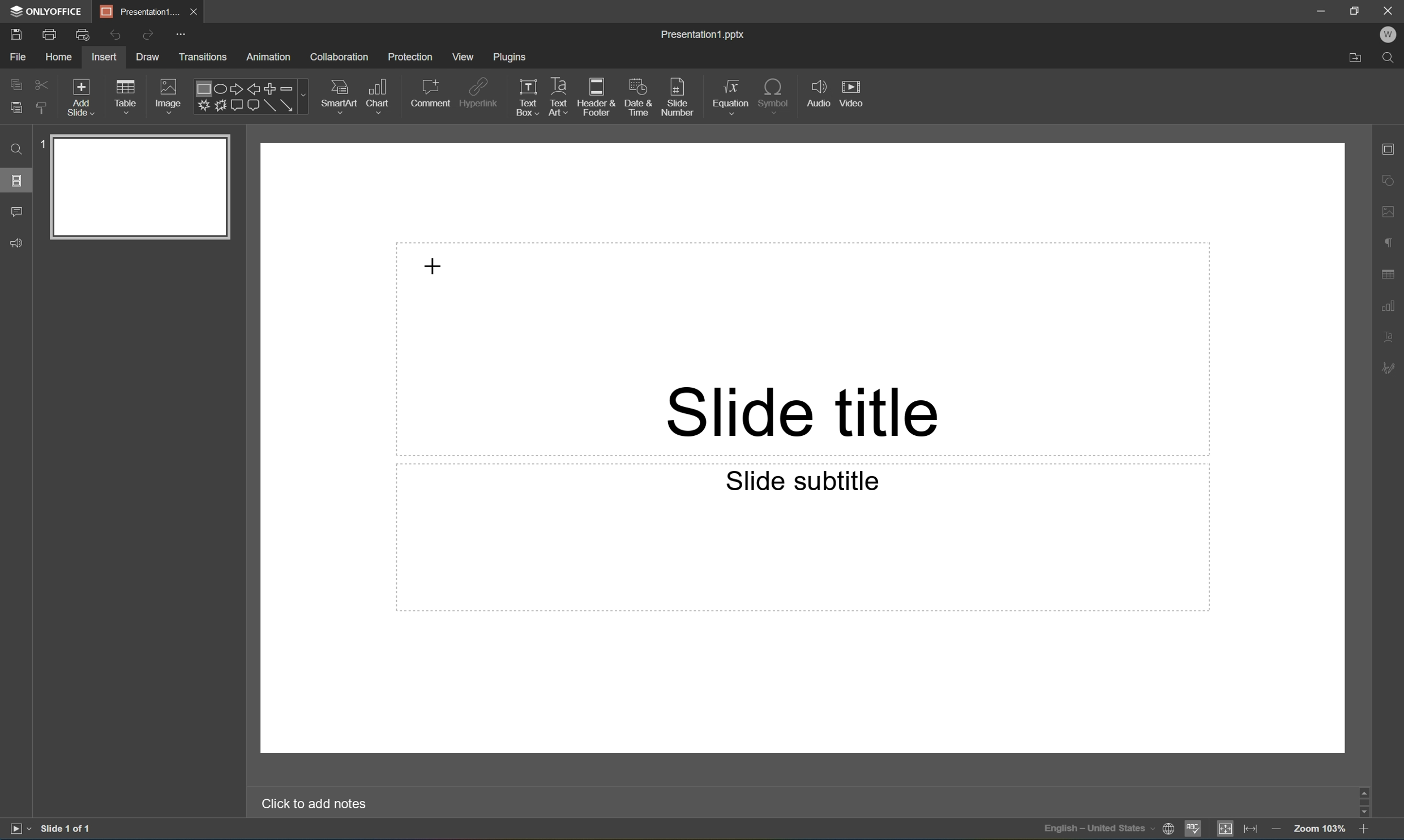 Image resolution: width=1404 pixels, height=840 pixels. What do you see at coordinates (510, 57) in the screenshot?
I see `Plugins` at bounding box center [510, 57].